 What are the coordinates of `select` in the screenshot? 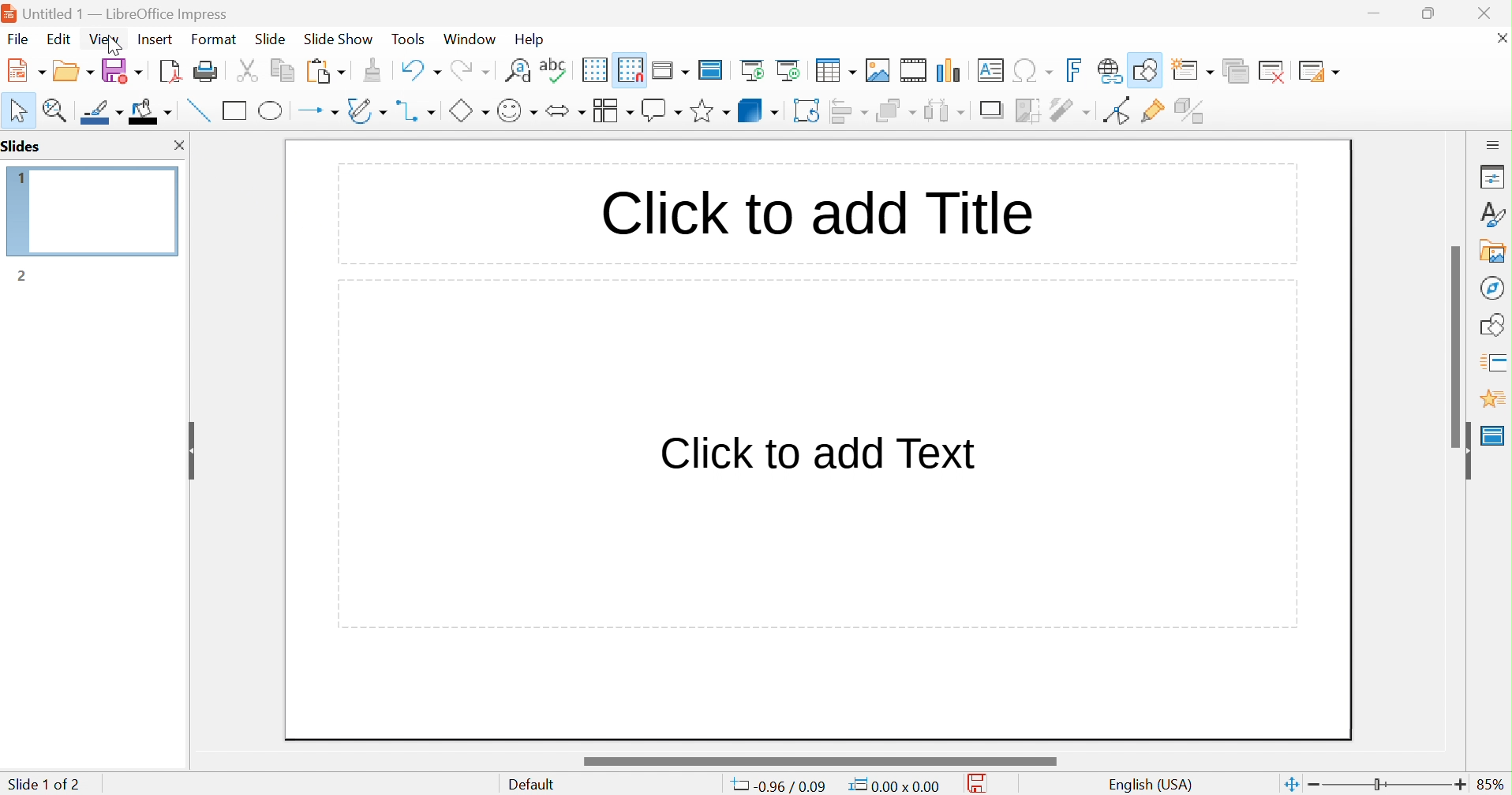 It's located at (20, 110).